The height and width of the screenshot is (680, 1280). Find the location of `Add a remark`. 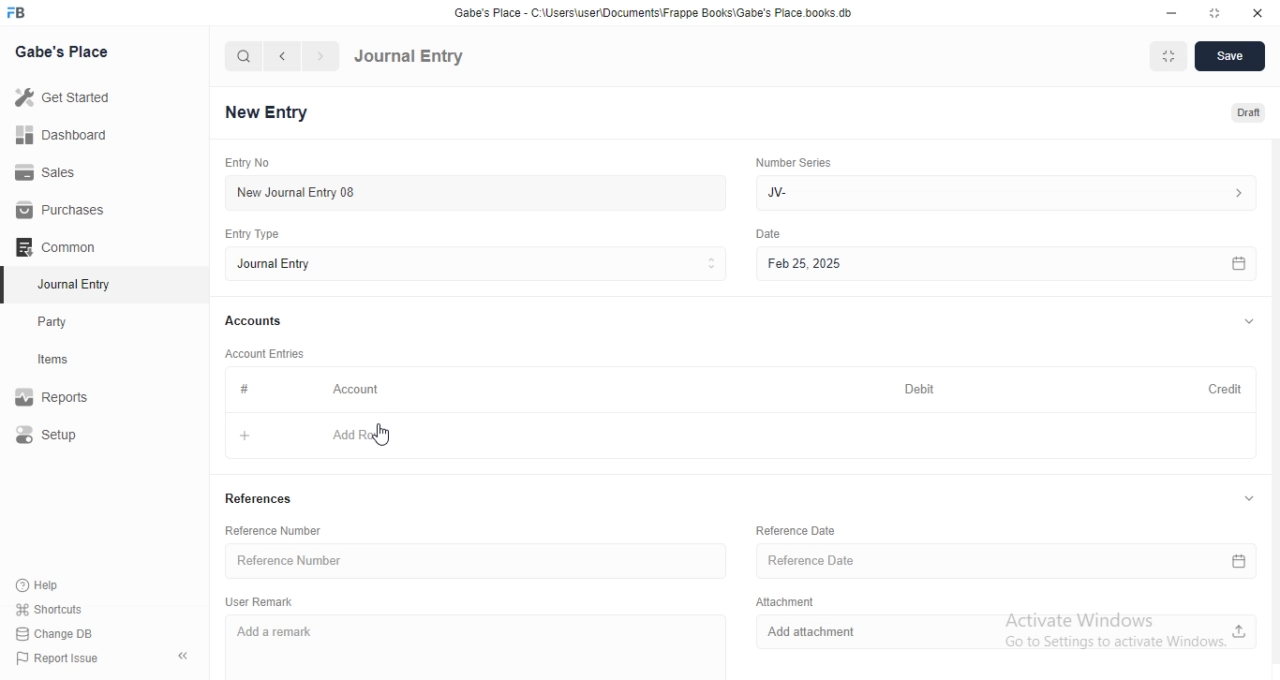

Add a remark is located at coordinates (486, 646).